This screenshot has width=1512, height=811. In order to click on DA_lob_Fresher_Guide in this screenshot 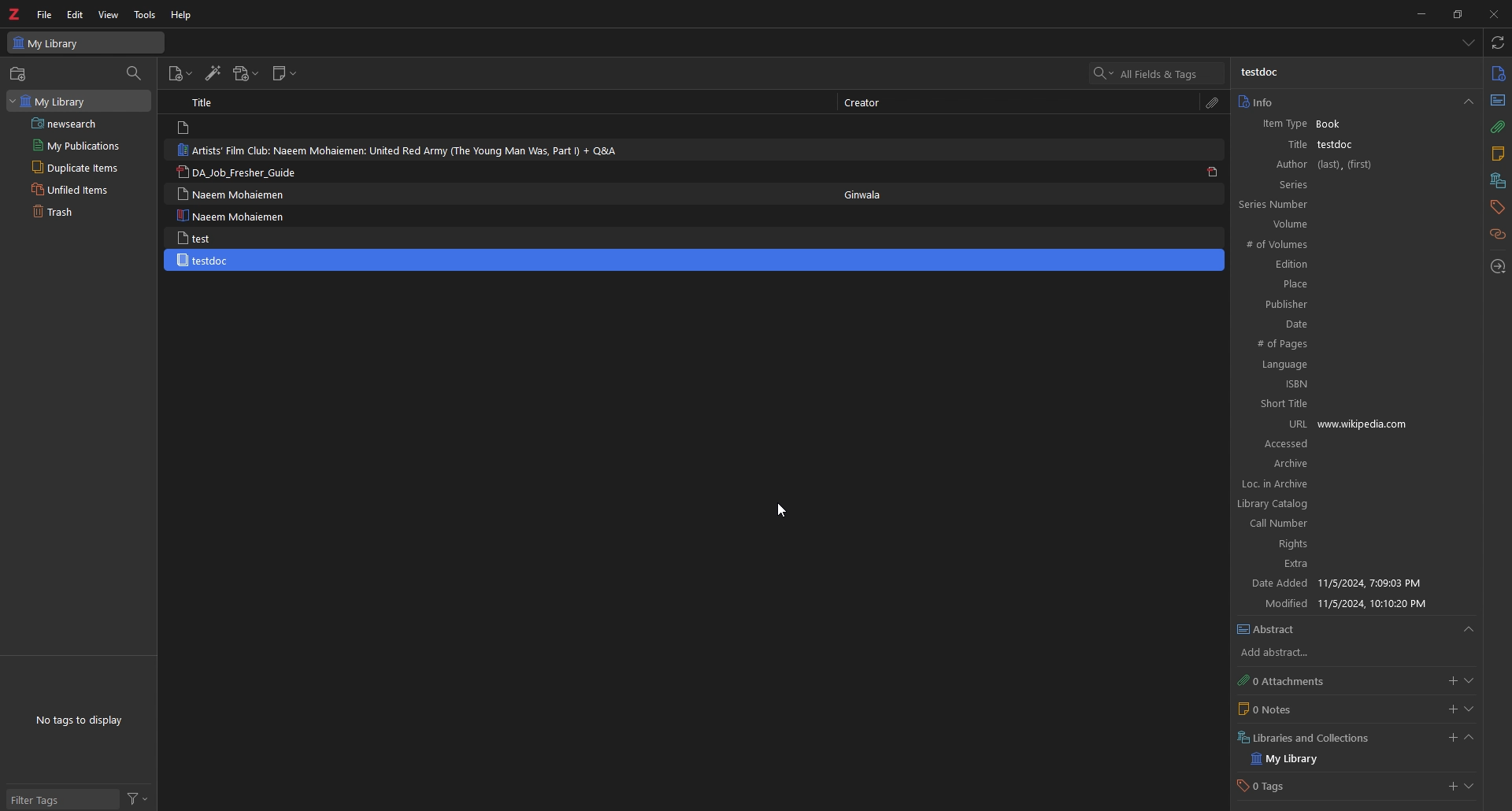, I will do `click(239, 173)`.